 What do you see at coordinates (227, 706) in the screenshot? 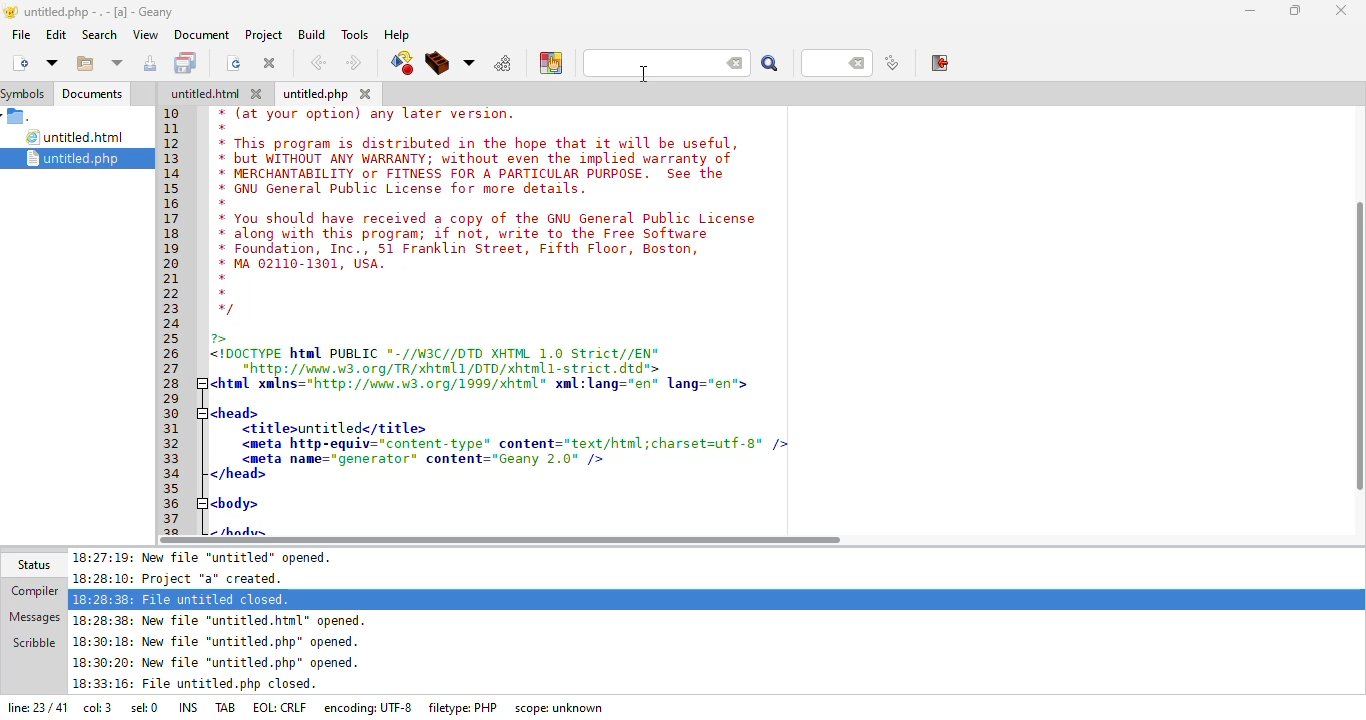
I see `tab` at bounding box center [227, 706].